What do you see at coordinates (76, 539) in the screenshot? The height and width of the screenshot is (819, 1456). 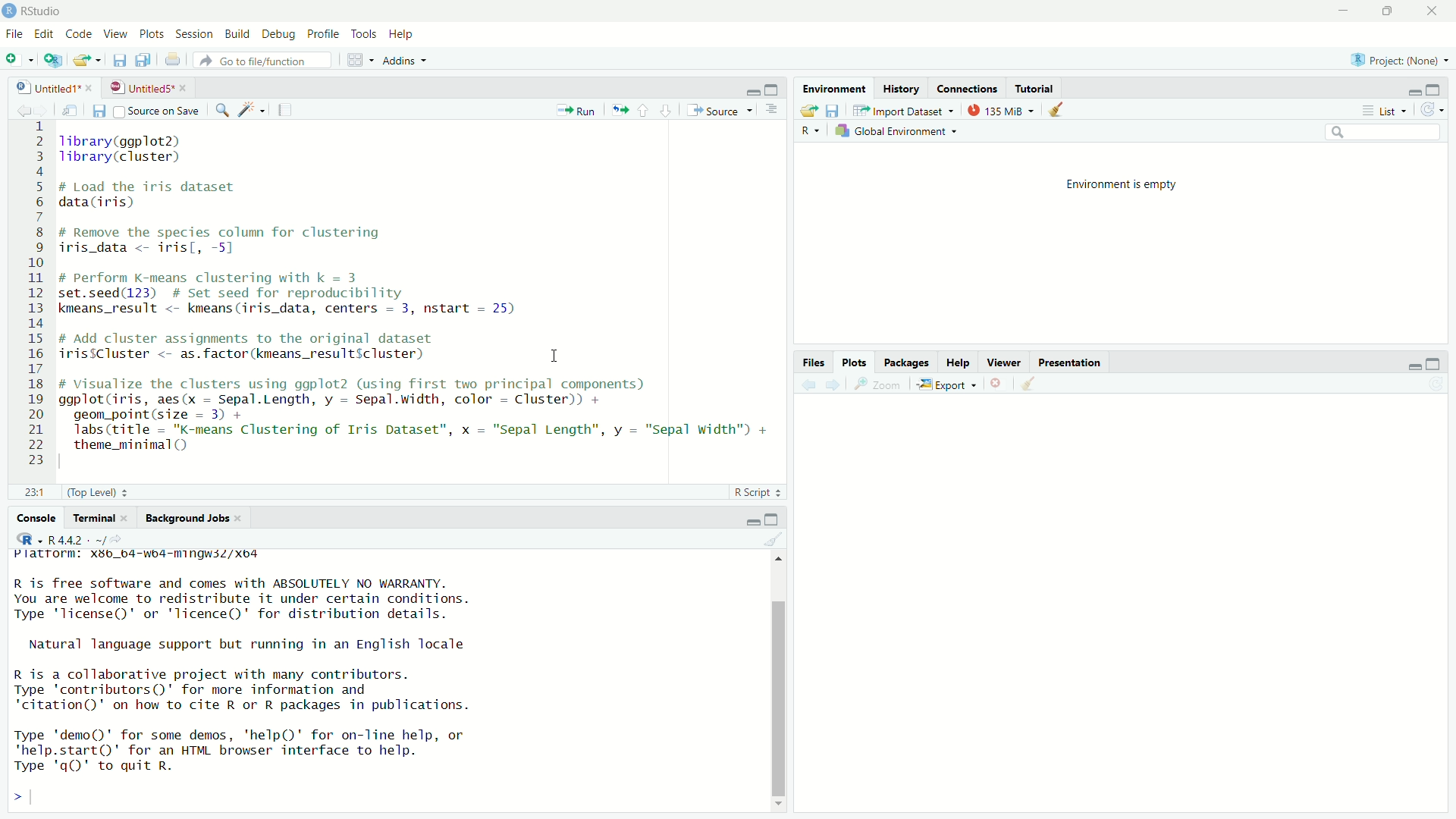 I see `R 4.4.2 . ~/` at bounding box center [76, 539].